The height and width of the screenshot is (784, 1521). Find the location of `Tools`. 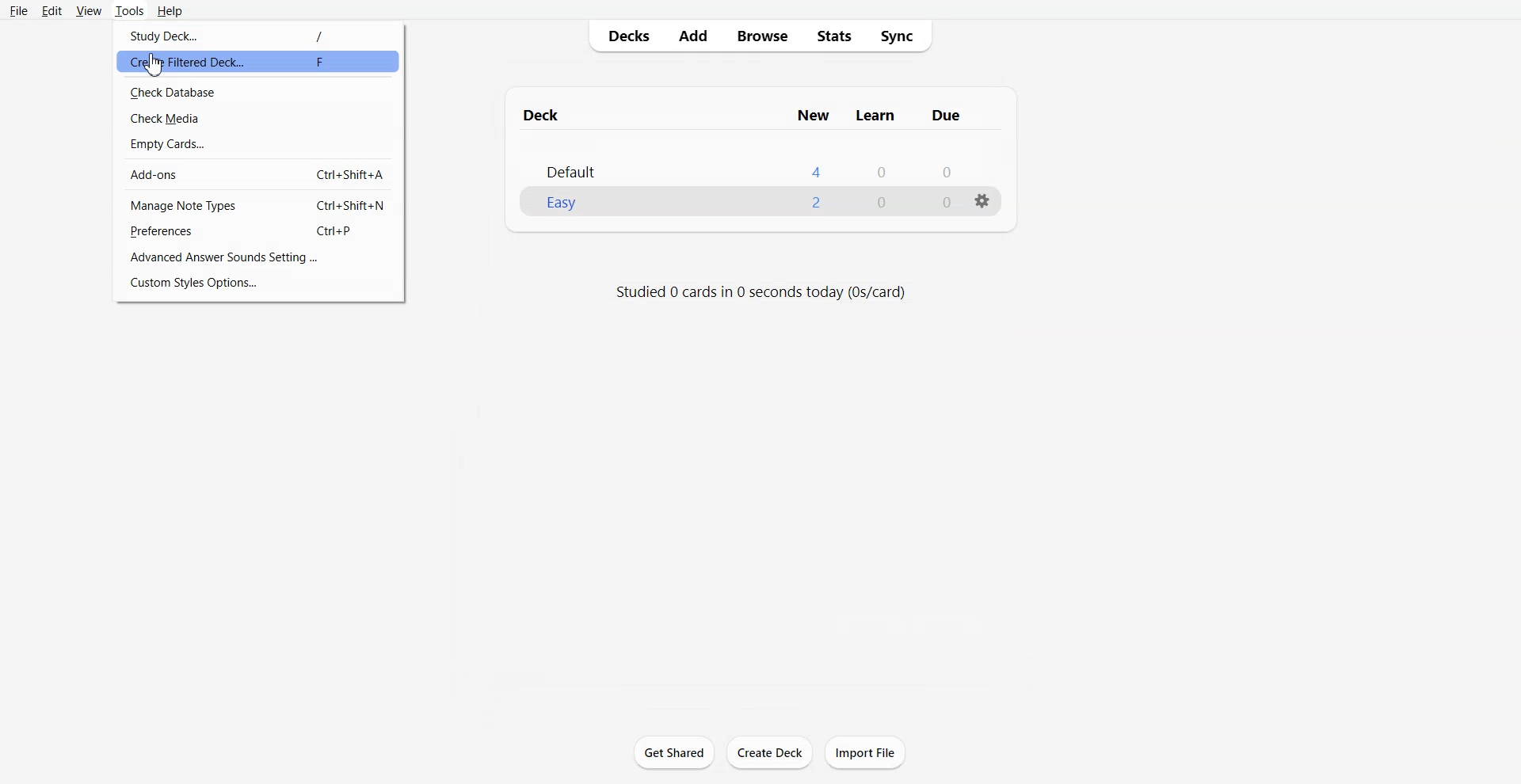

Tools is located at coordinates (129, 10).